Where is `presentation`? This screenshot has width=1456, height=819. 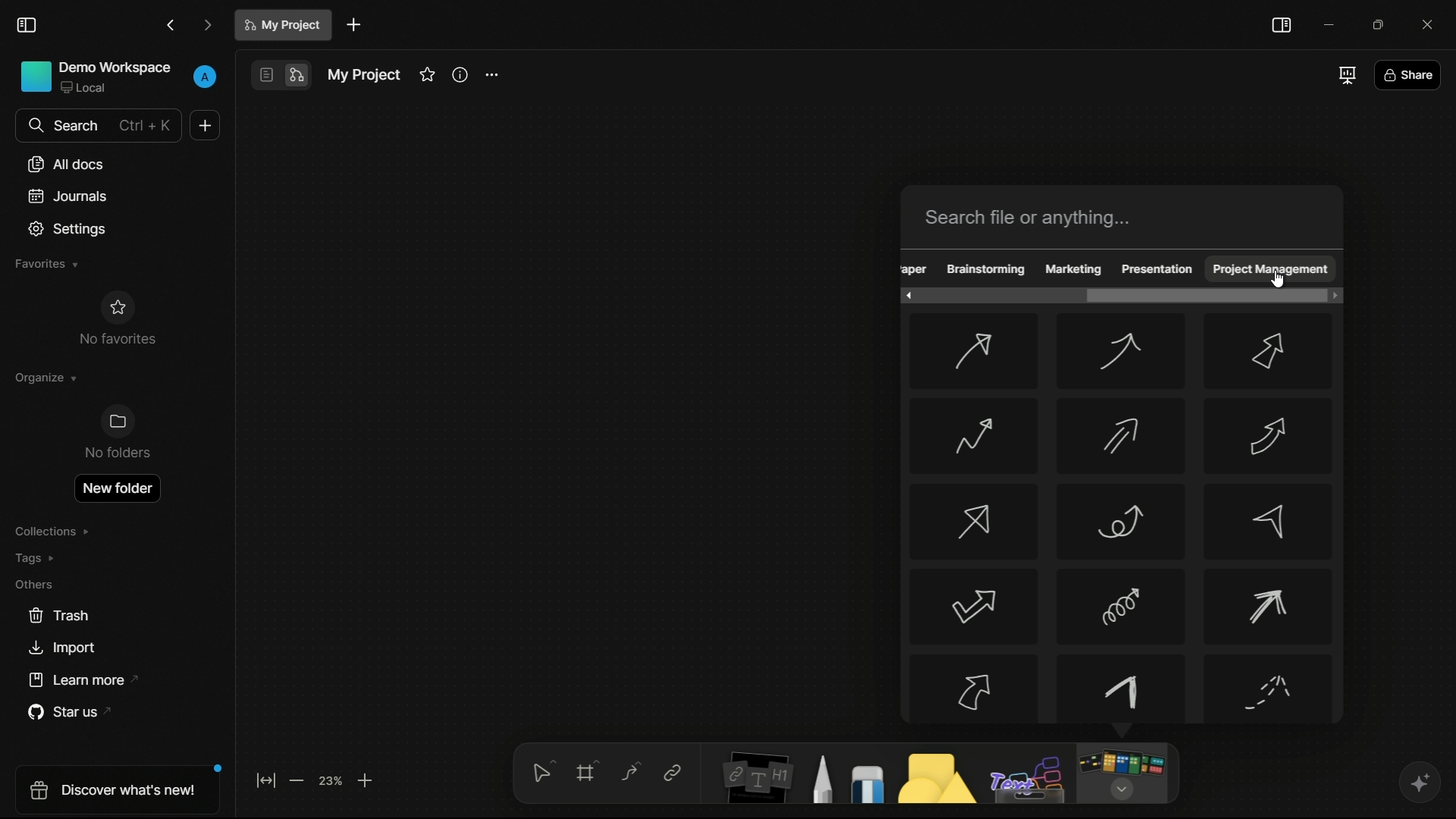
presentation is located at coordinates (1156, 268).